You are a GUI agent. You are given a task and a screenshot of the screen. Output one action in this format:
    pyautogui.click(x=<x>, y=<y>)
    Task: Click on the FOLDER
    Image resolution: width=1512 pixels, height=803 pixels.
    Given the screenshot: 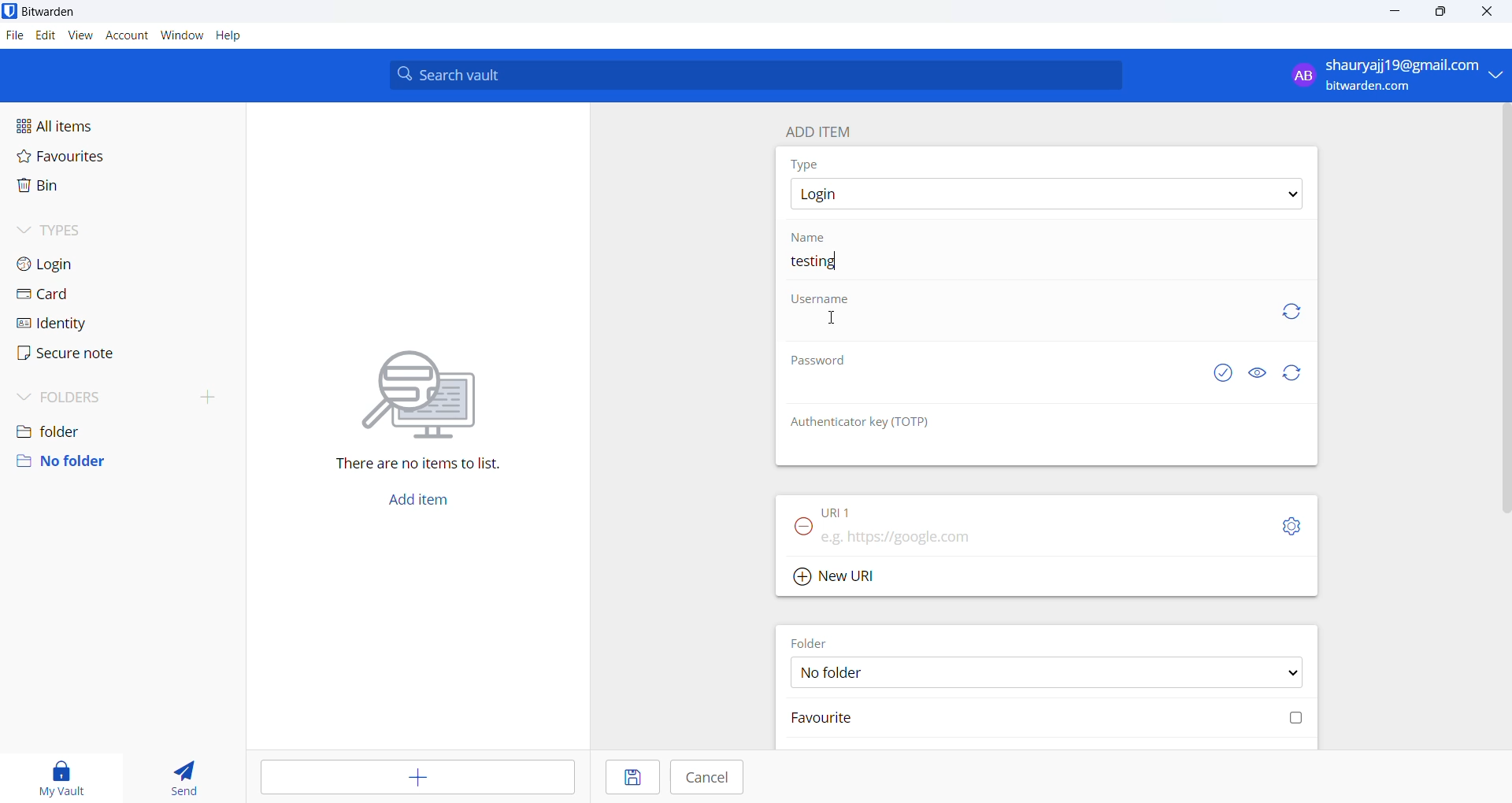 What is the action you would take?
    pyautogui.click(x=813, y=642)
    